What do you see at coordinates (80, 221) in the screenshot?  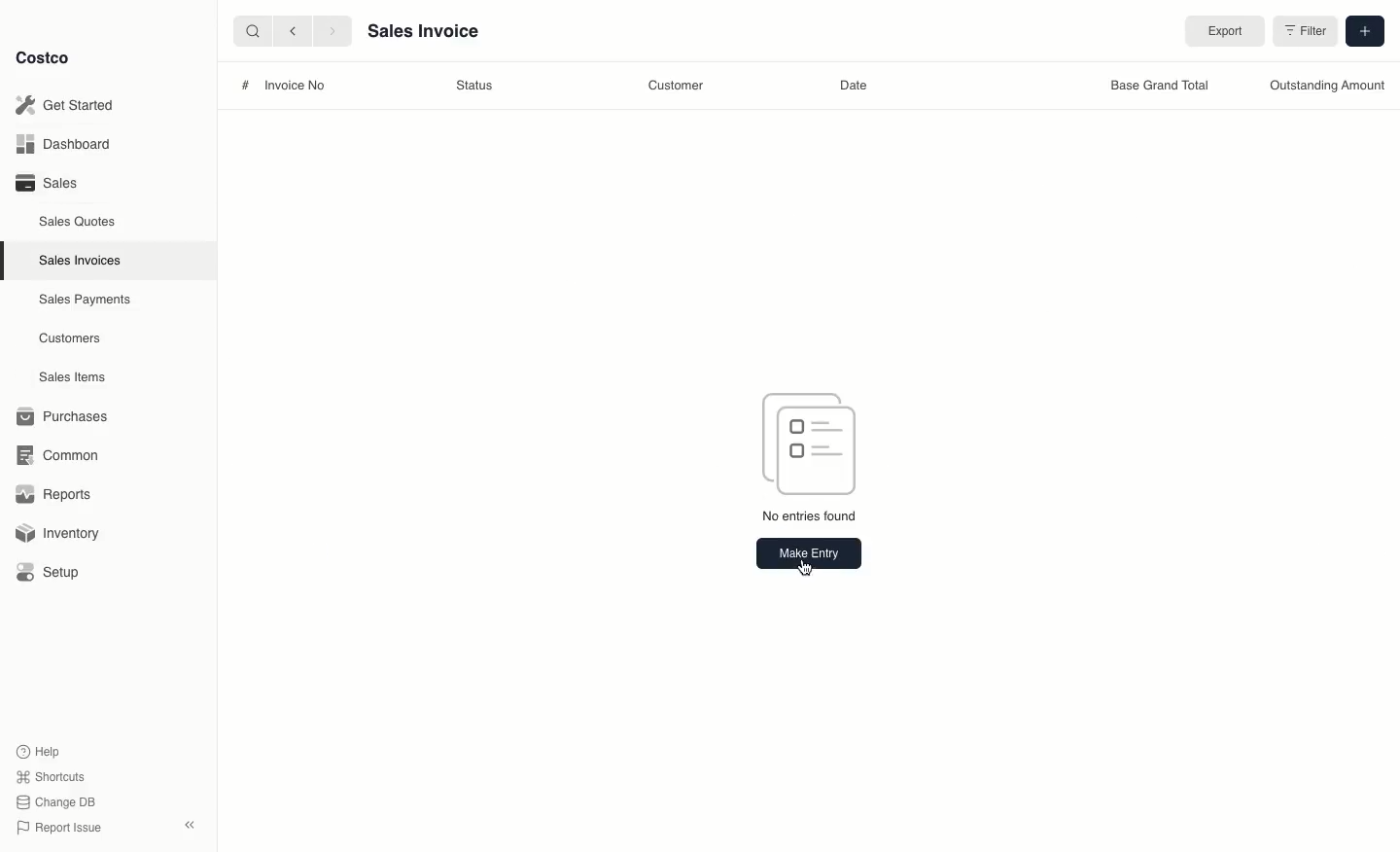 I see `Sales Quotes` at bounding box center [80, 221].